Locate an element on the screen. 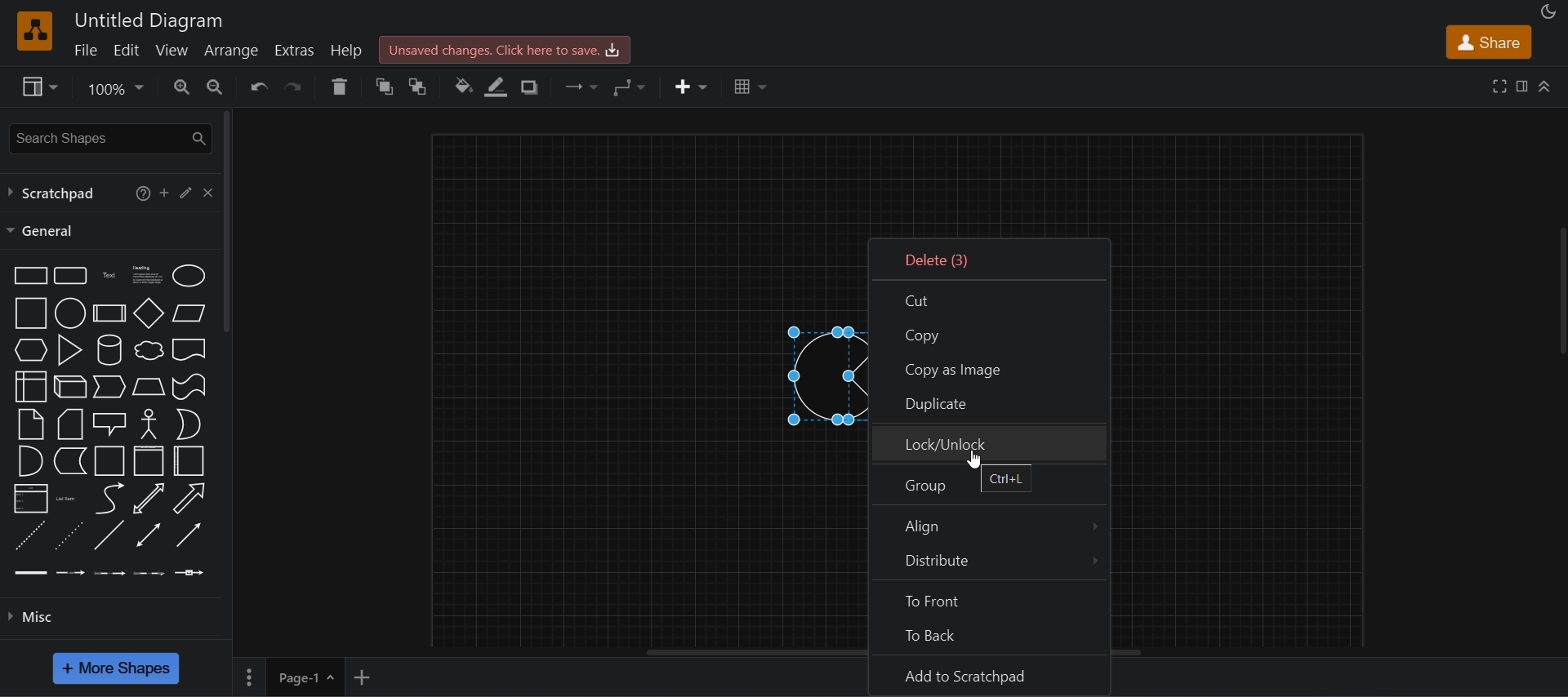  fill color is located at coordinates (464, 87).